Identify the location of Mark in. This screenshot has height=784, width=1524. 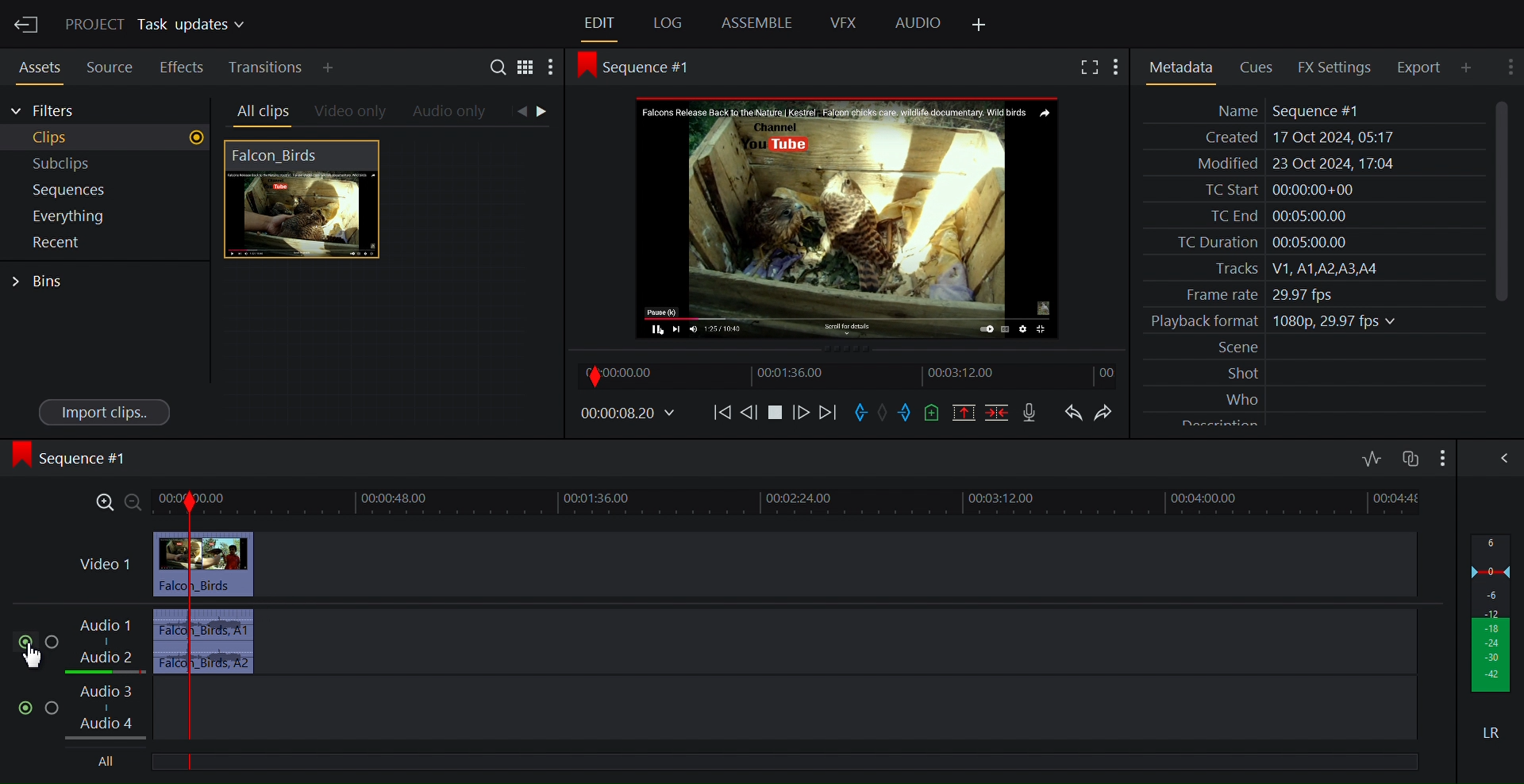
(860, 413).